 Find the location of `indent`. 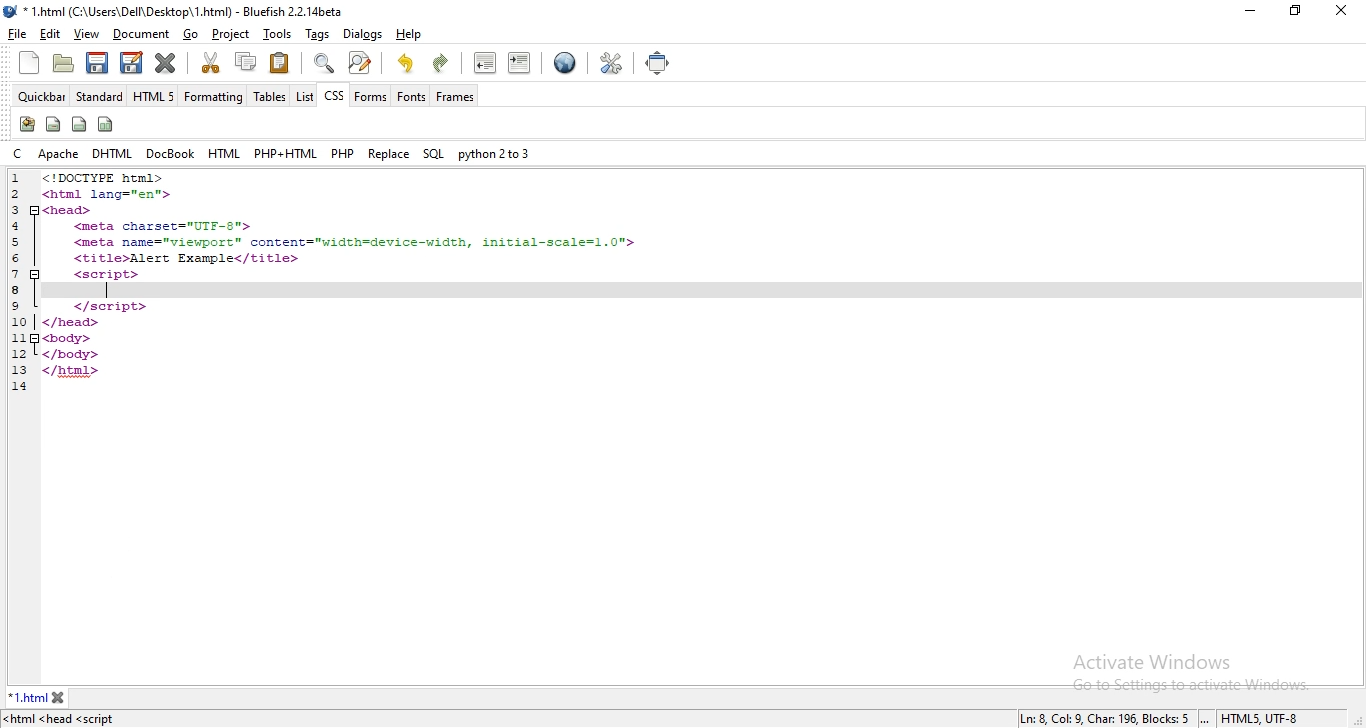

indent is located at coordinates (522, 61).